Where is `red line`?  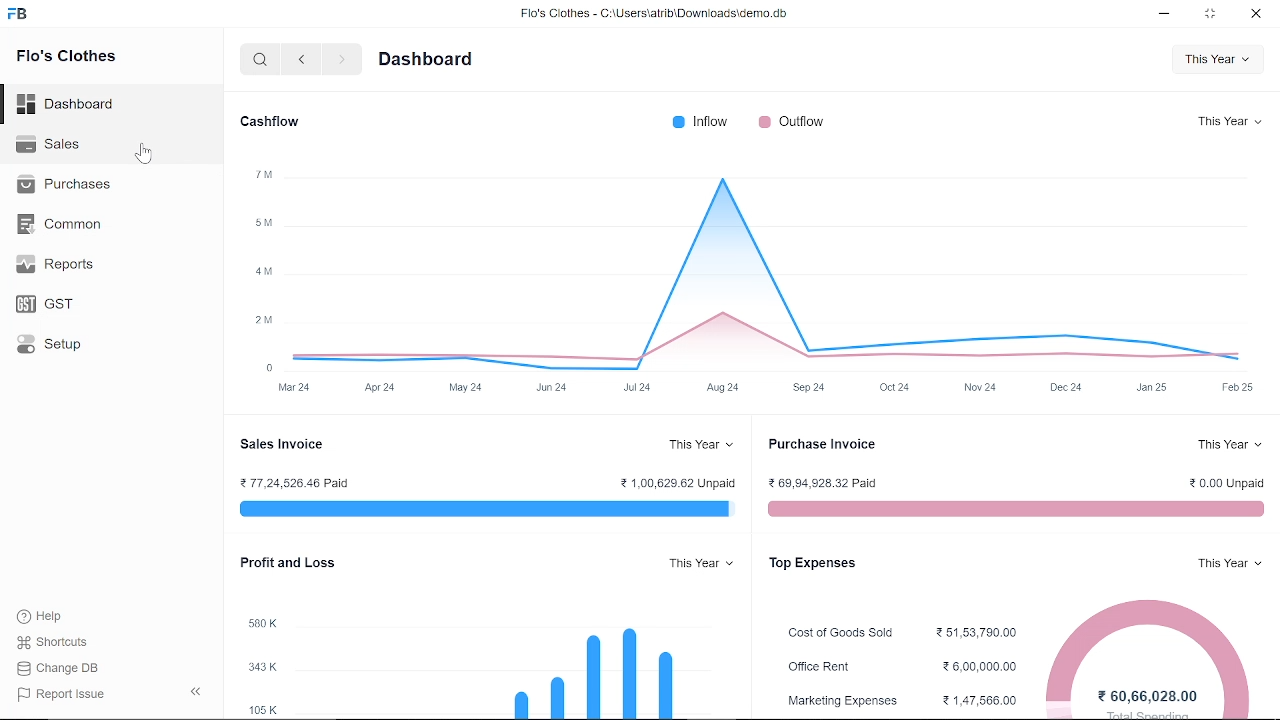
red line is located at coordinates (1014, 510).